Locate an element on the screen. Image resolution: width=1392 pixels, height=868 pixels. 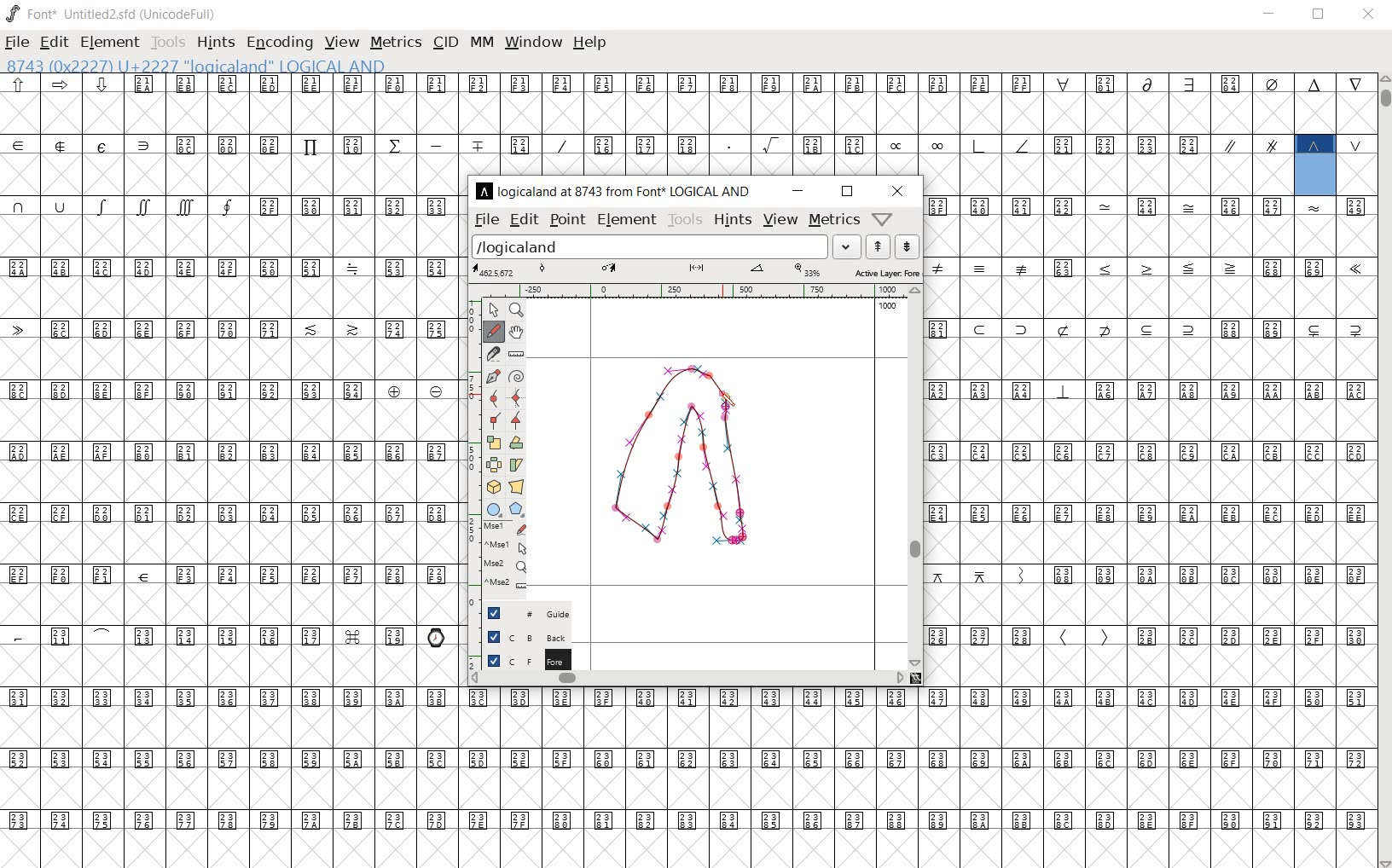
flip the selection is located at coordinates (494, 465).